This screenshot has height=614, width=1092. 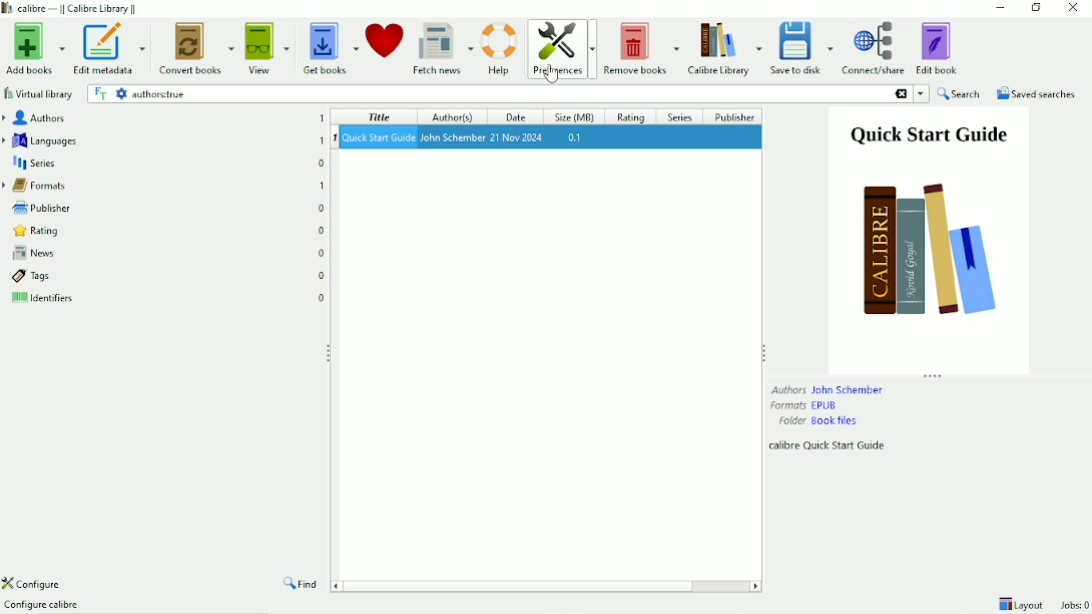 What do you see at coordinates (165, 253) in the screenshot?
I see `News` at bounding box center [165, 253].